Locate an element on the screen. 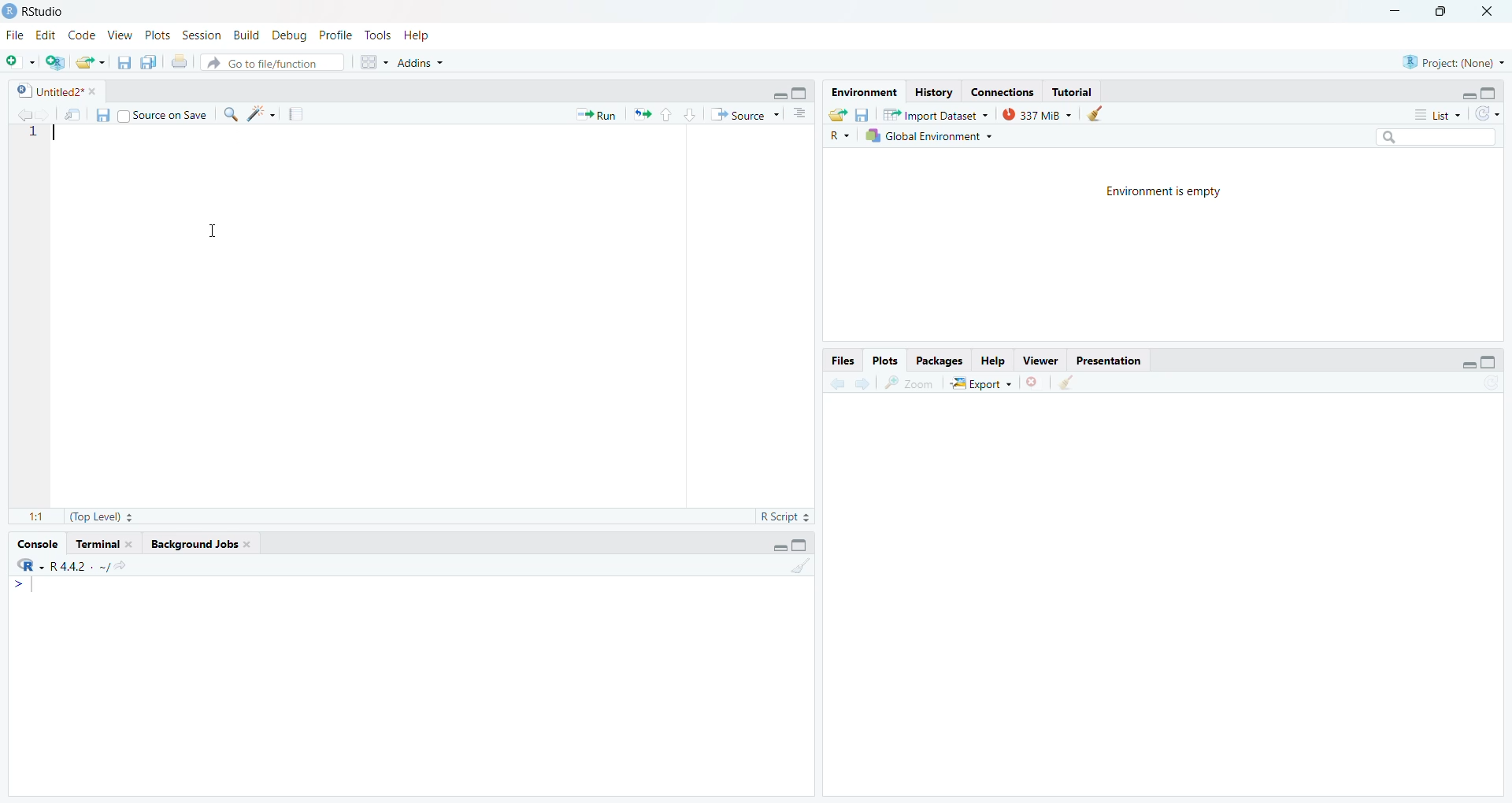  show document outline is located at coordinates (802, 113).